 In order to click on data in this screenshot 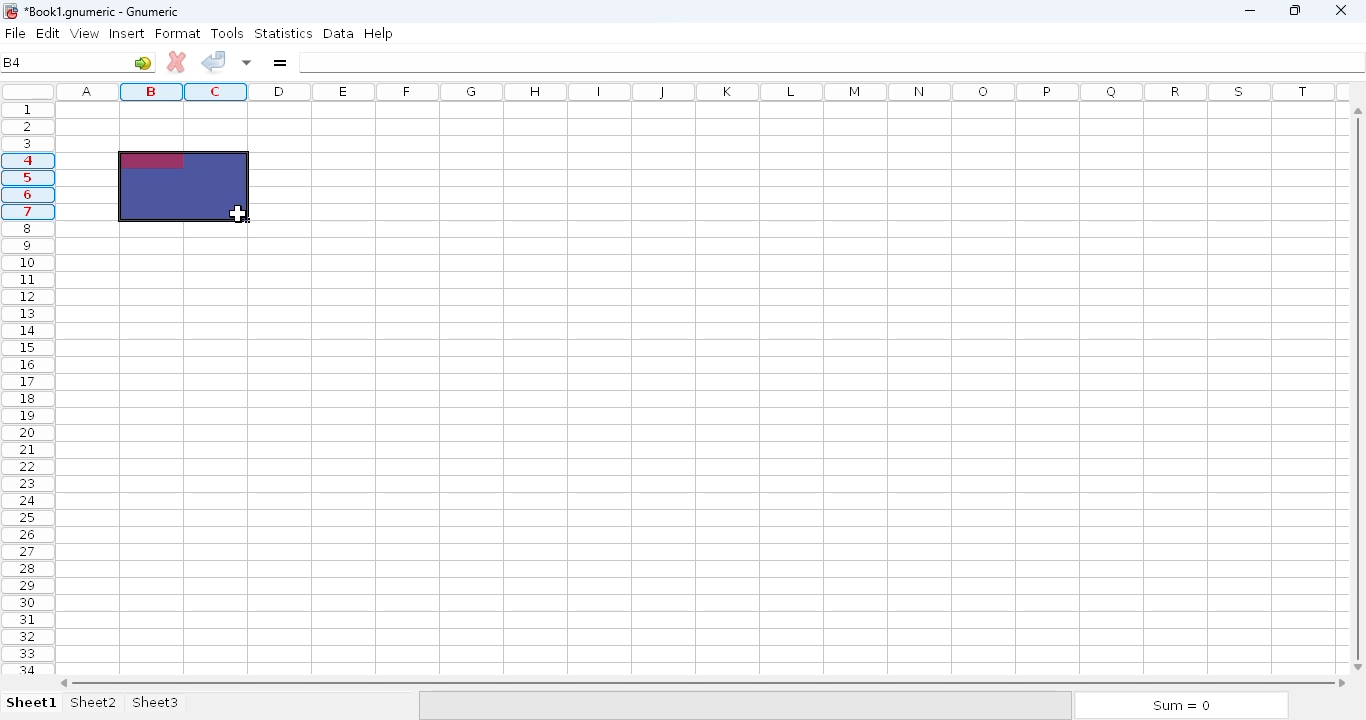, I will do `click(338, 33)`.